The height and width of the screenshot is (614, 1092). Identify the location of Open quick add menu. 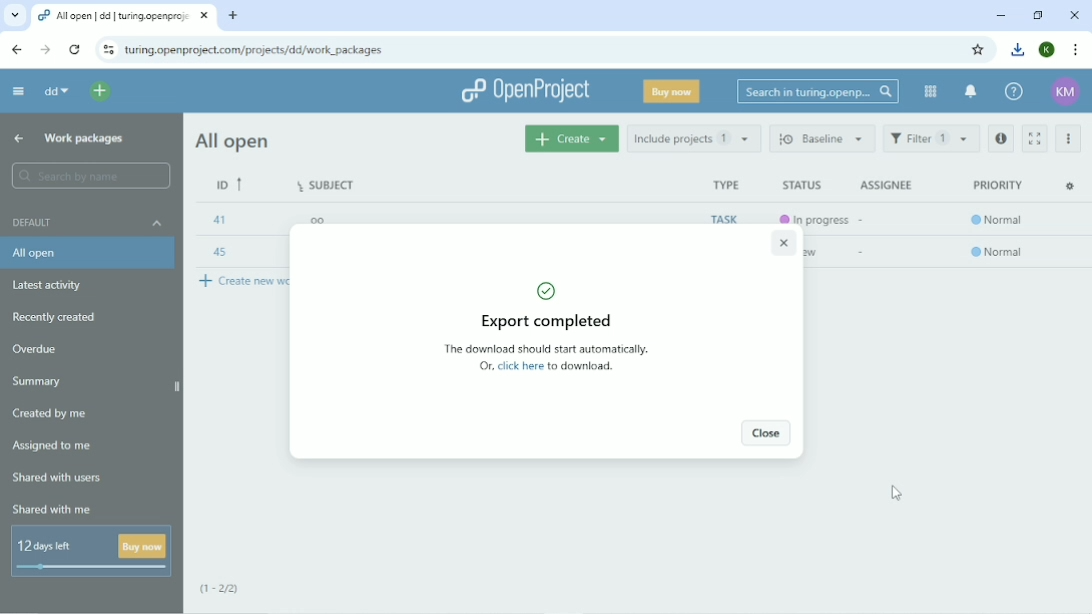
(100, 91).